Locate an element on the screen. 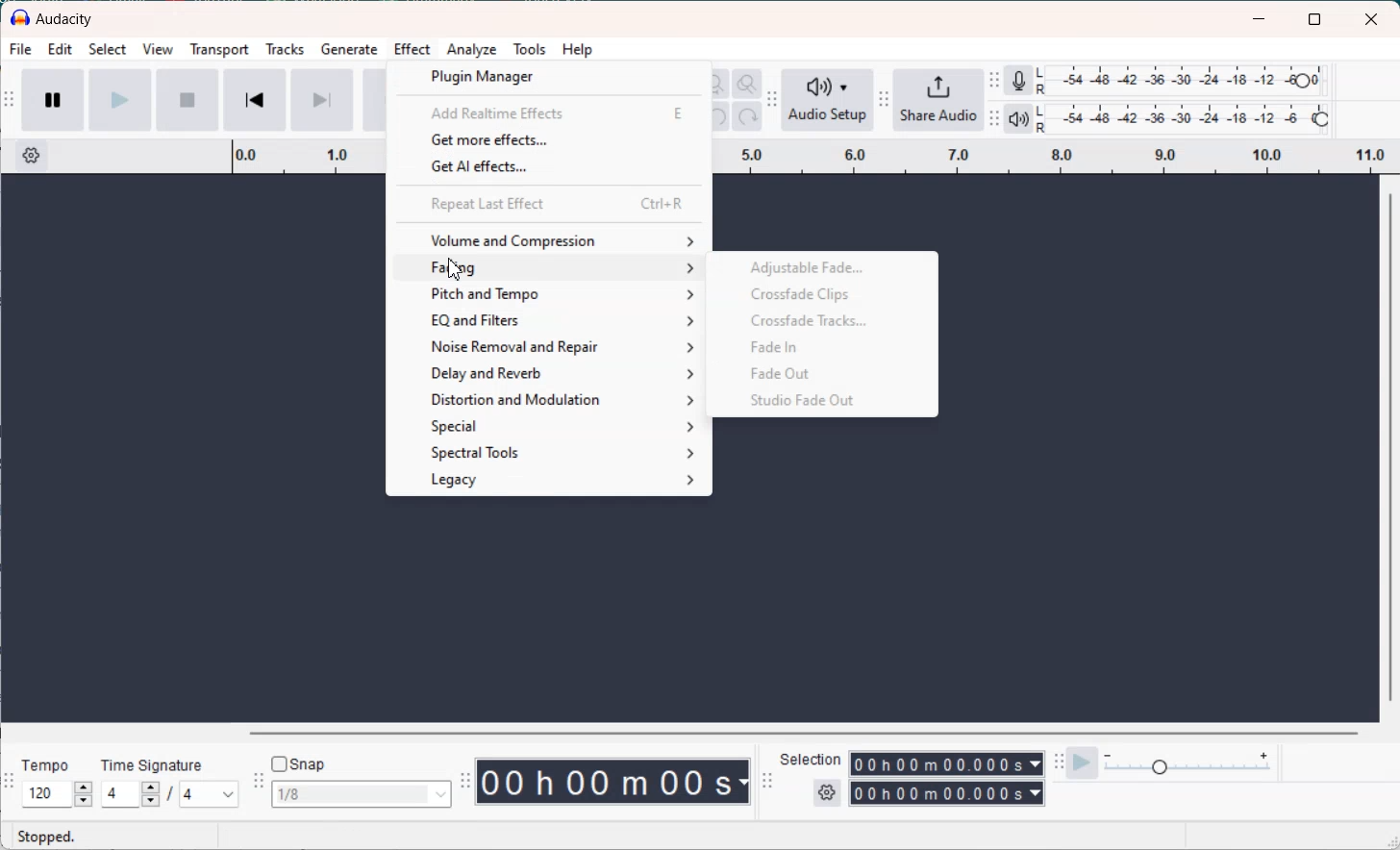 The image size is (1400, 850). Audacity selection toolbar is located at coordinates (768, 780).